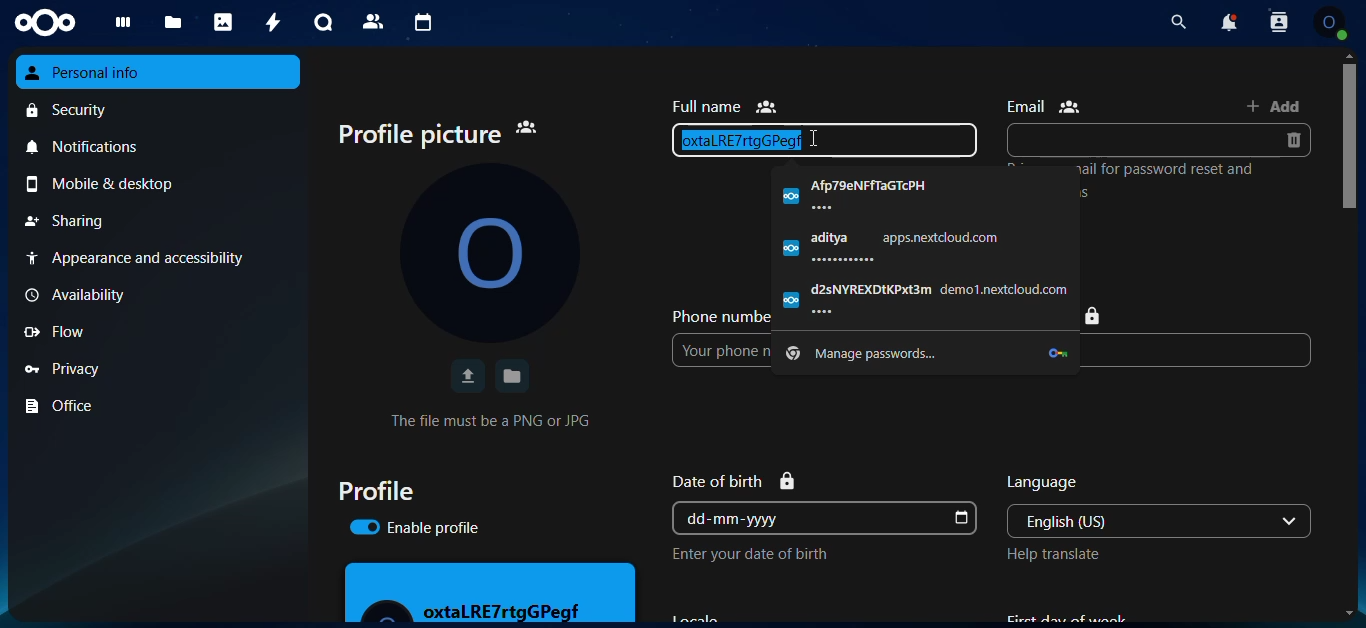 This screenshot has height=628, width=1366. I want to click on email, so click(1044, 106).